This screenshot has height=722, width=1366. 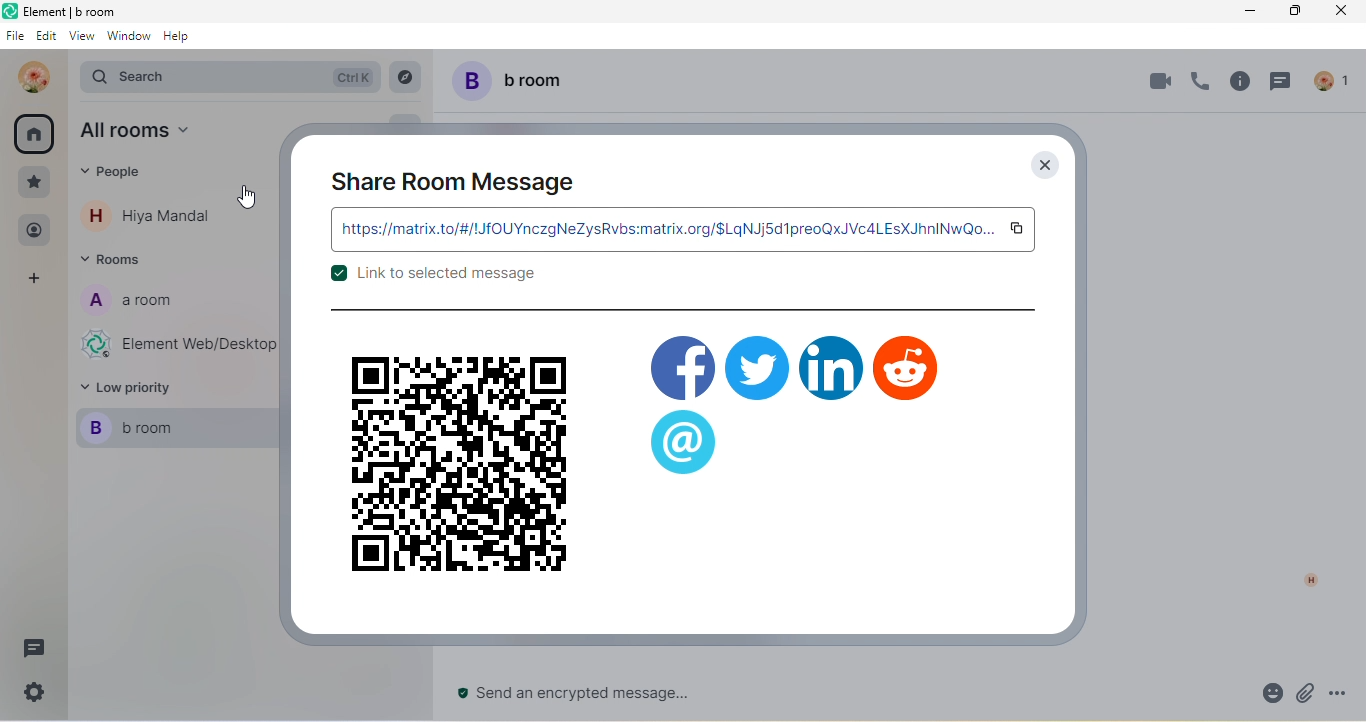 I want to click on cursor, so click(x=254, y=199).